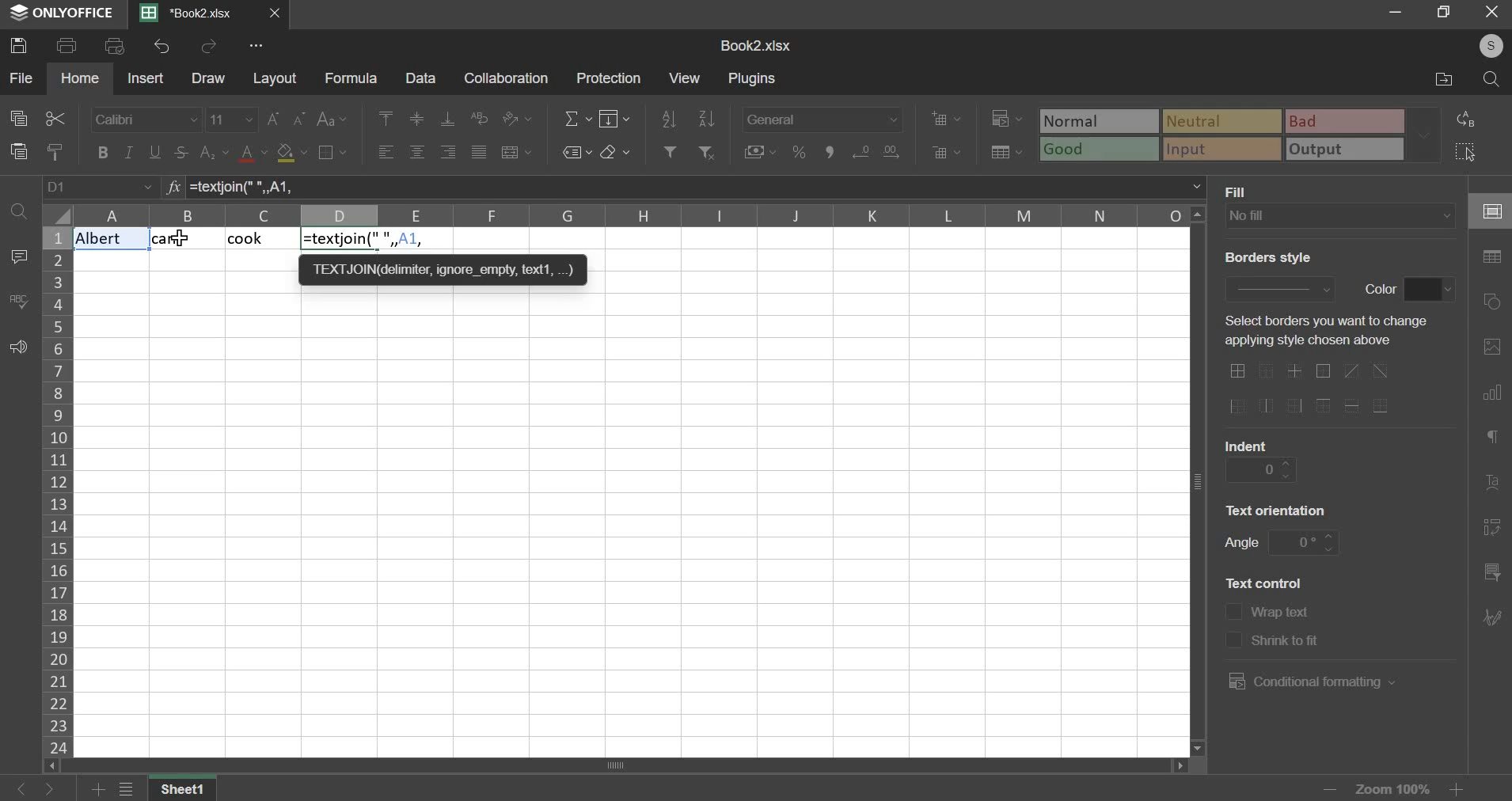 The width and height of the screenshot is (1512, 801). I want to click on border style, so click(1278, 287).